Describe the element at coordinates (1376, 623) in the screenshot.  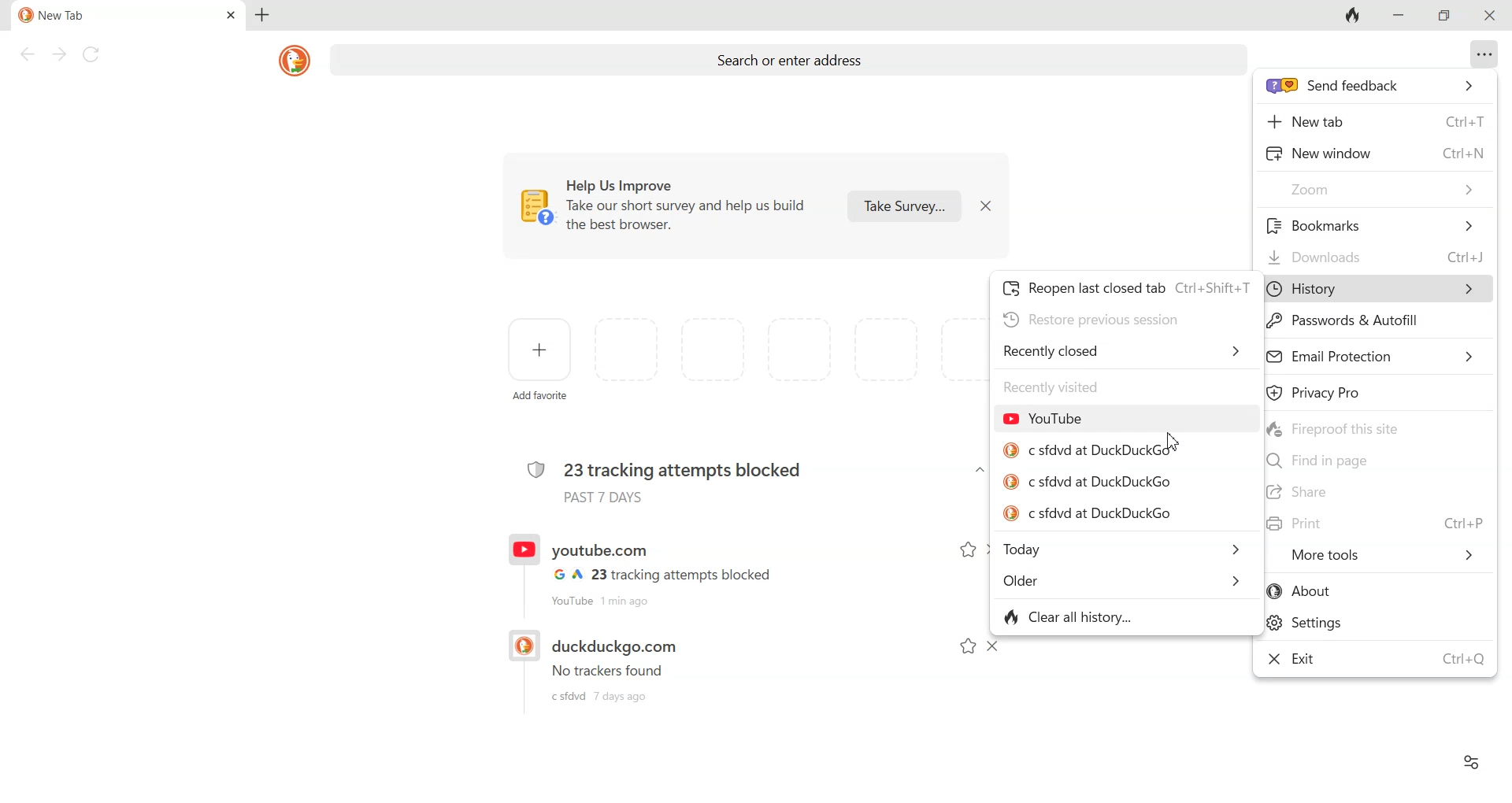
I see `Settings` at that location.